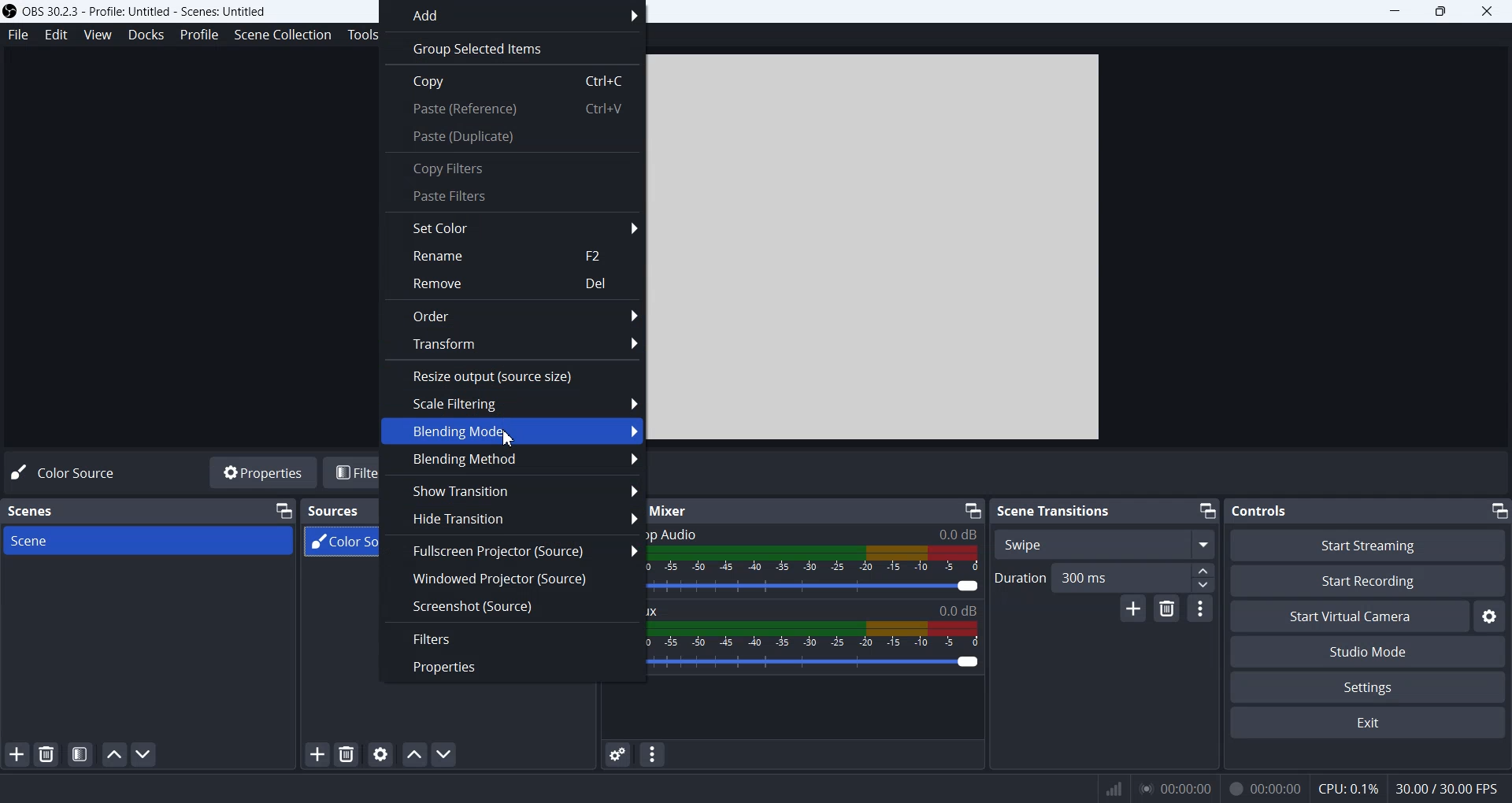  What do you see at coordinates (1166, 609) in the screenshot?
I see `Remove configurable transition` at bounding box center [1166, 609].